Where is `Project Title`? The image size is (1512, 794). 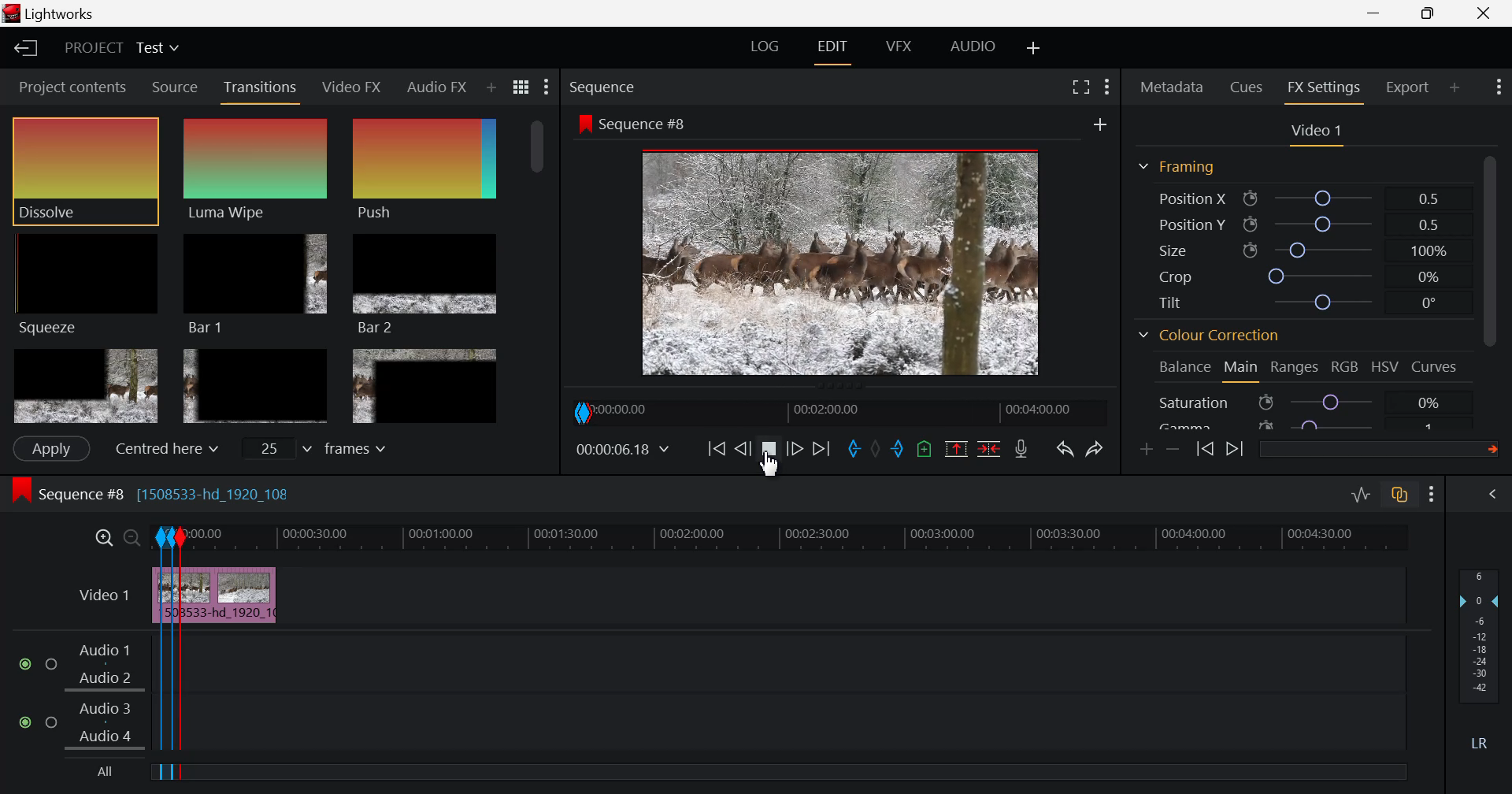
Project Title is located at coordinates (121, 50).